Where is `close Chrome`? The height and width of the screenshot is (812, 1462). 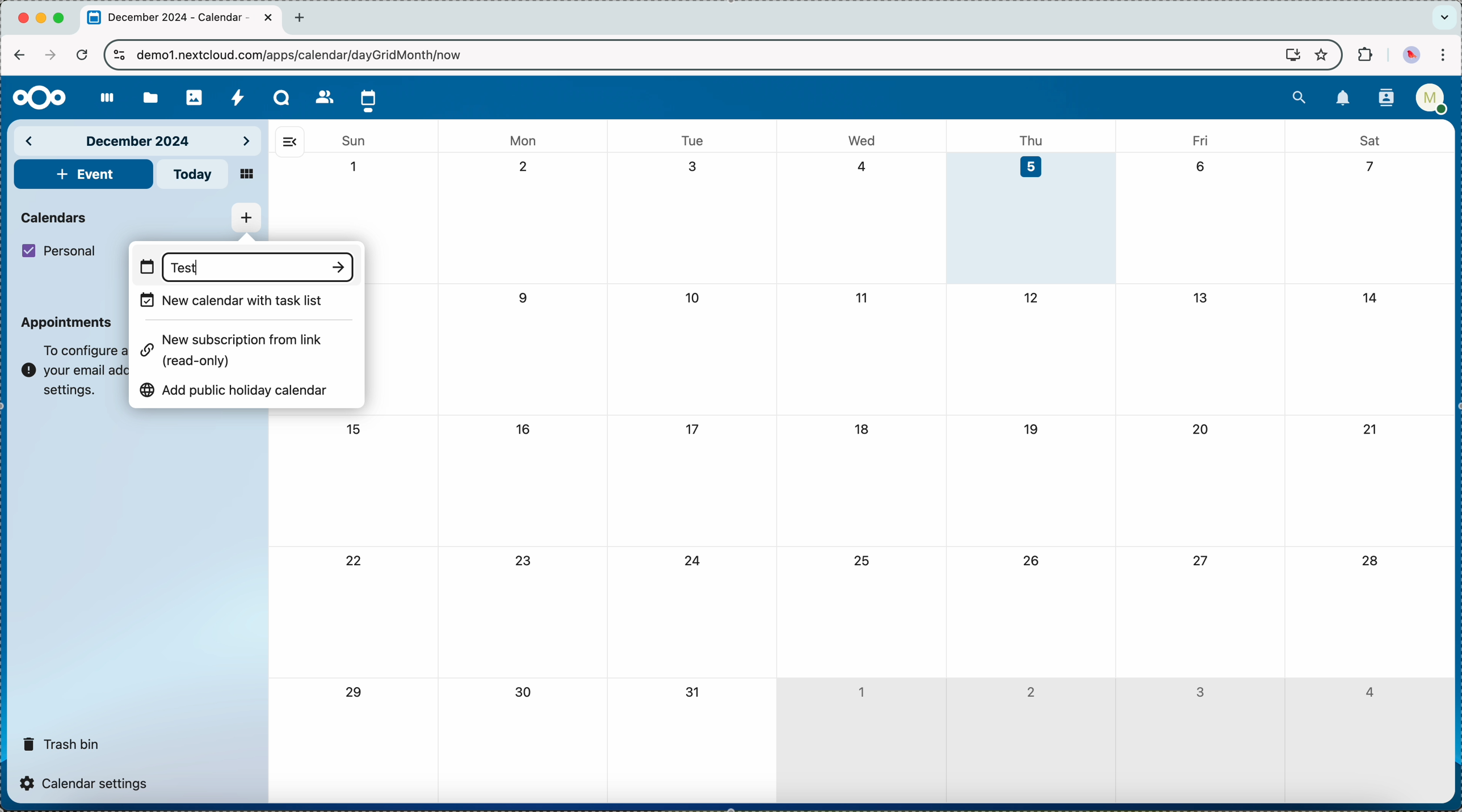 close Chrome is located at coordinates (23, 19).